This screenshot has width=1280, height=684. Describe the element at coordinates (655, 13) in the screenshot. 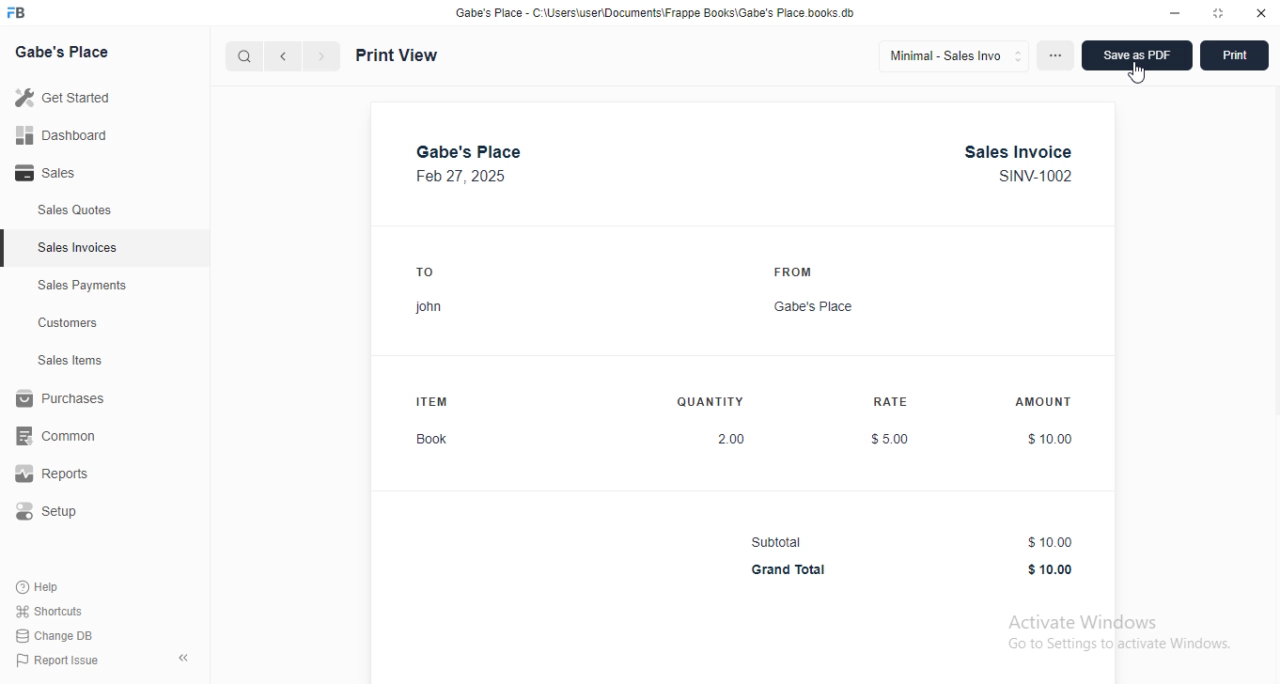

I see `Gabe's Place - C:\Users\user\Documents\Frappe Books\Gabe's Place.books db` at that location.